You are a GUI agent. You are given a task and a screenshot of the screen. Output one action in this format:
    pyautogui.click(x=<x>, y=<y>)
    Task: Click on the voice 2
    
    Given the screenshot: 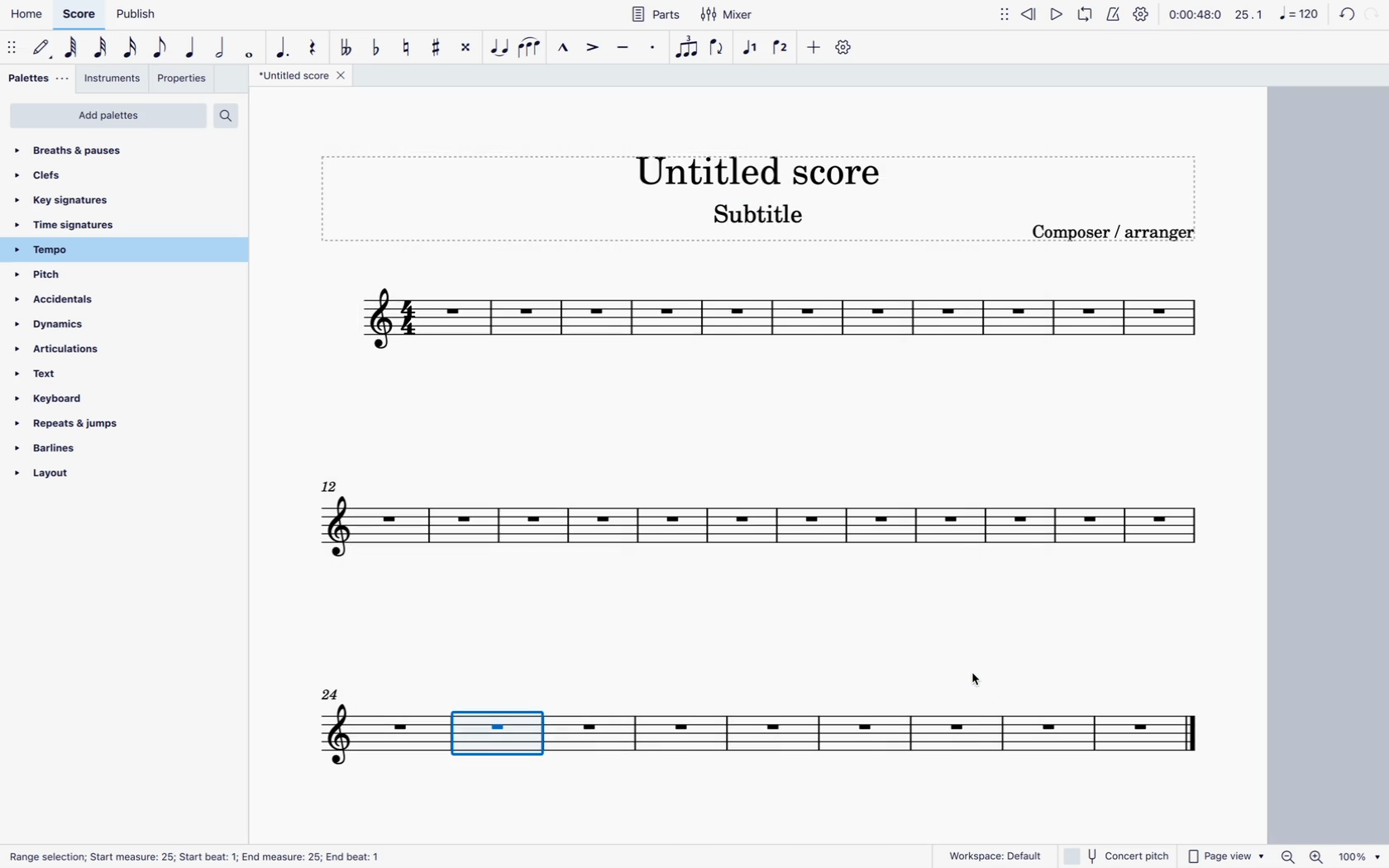 What is the action you would take?
    pyautogui.click(x=781, y=49)
    